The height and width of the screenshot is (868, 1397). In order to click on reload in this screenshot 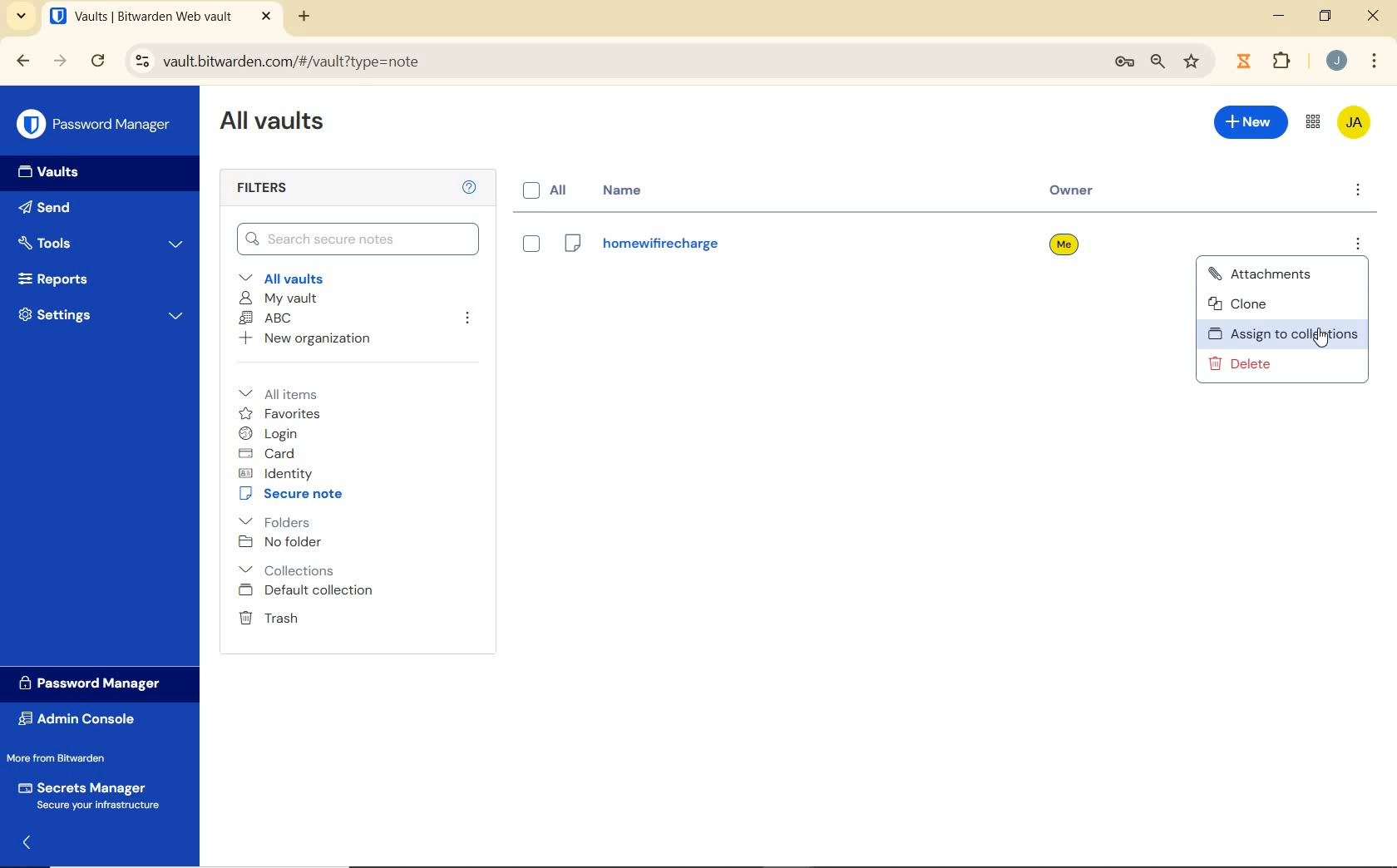, I will do `click(97, 62)`.